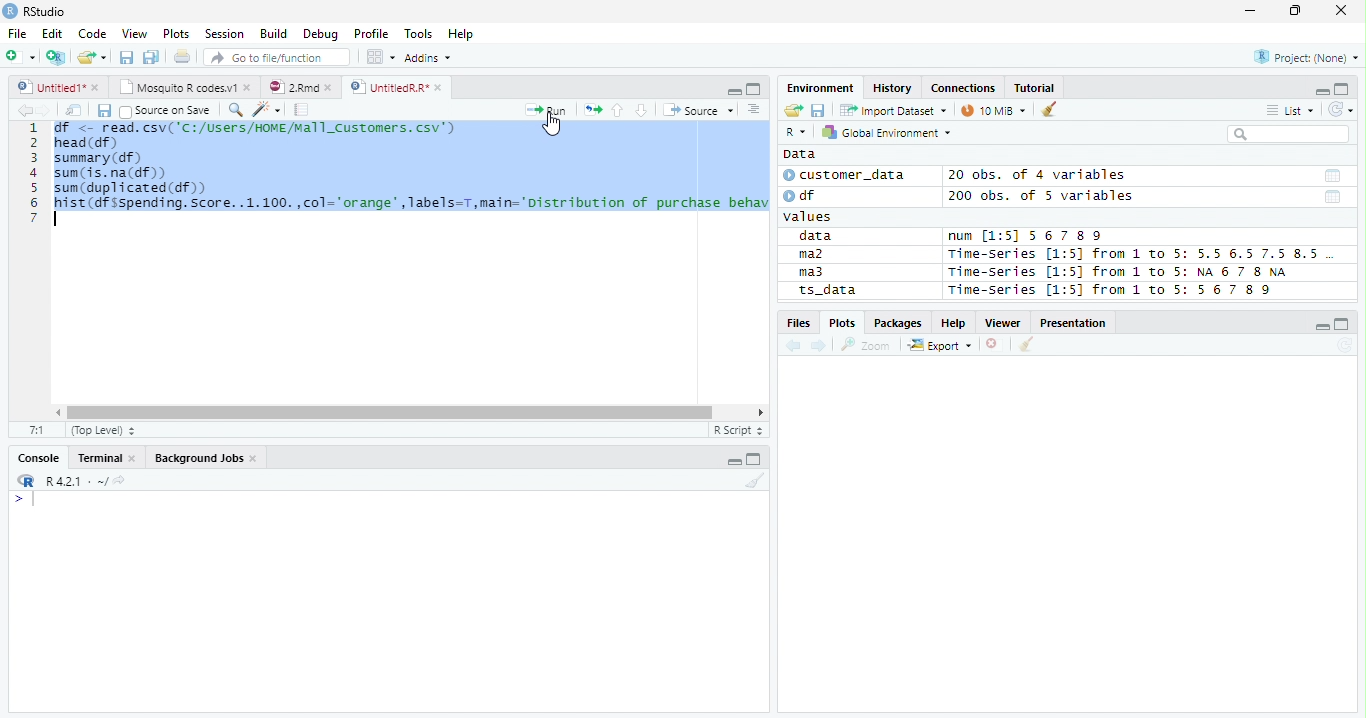  Describe the element at coordinates (206, 460) in the screenshot. I see `Background jobs` at that location.